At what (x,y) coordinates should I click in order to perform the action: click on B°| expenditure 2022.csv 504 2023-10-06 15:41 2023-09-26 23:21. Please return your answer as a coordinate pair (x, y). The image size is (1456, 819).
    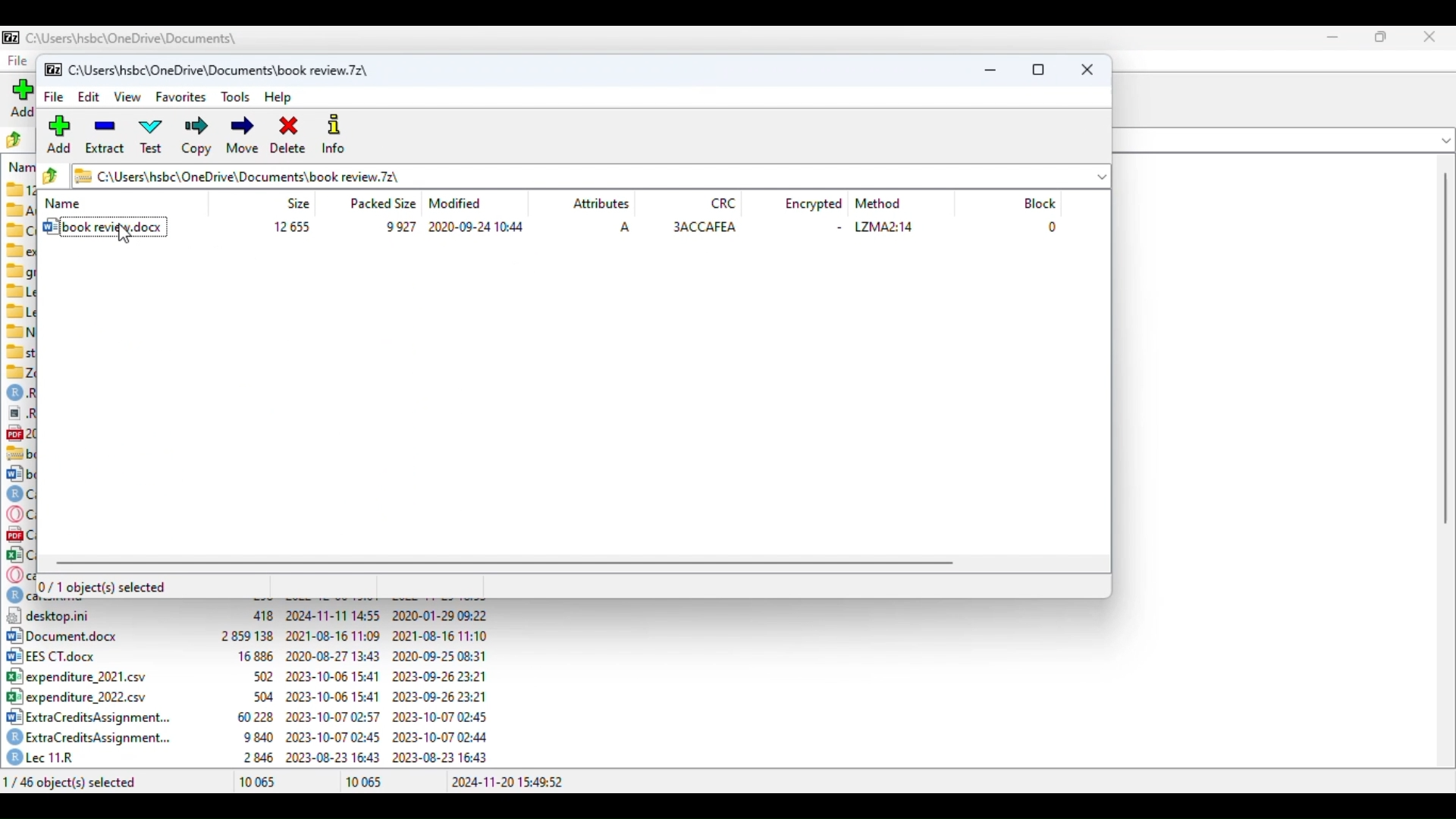
    Looking at the image, I should click on (246, 696).